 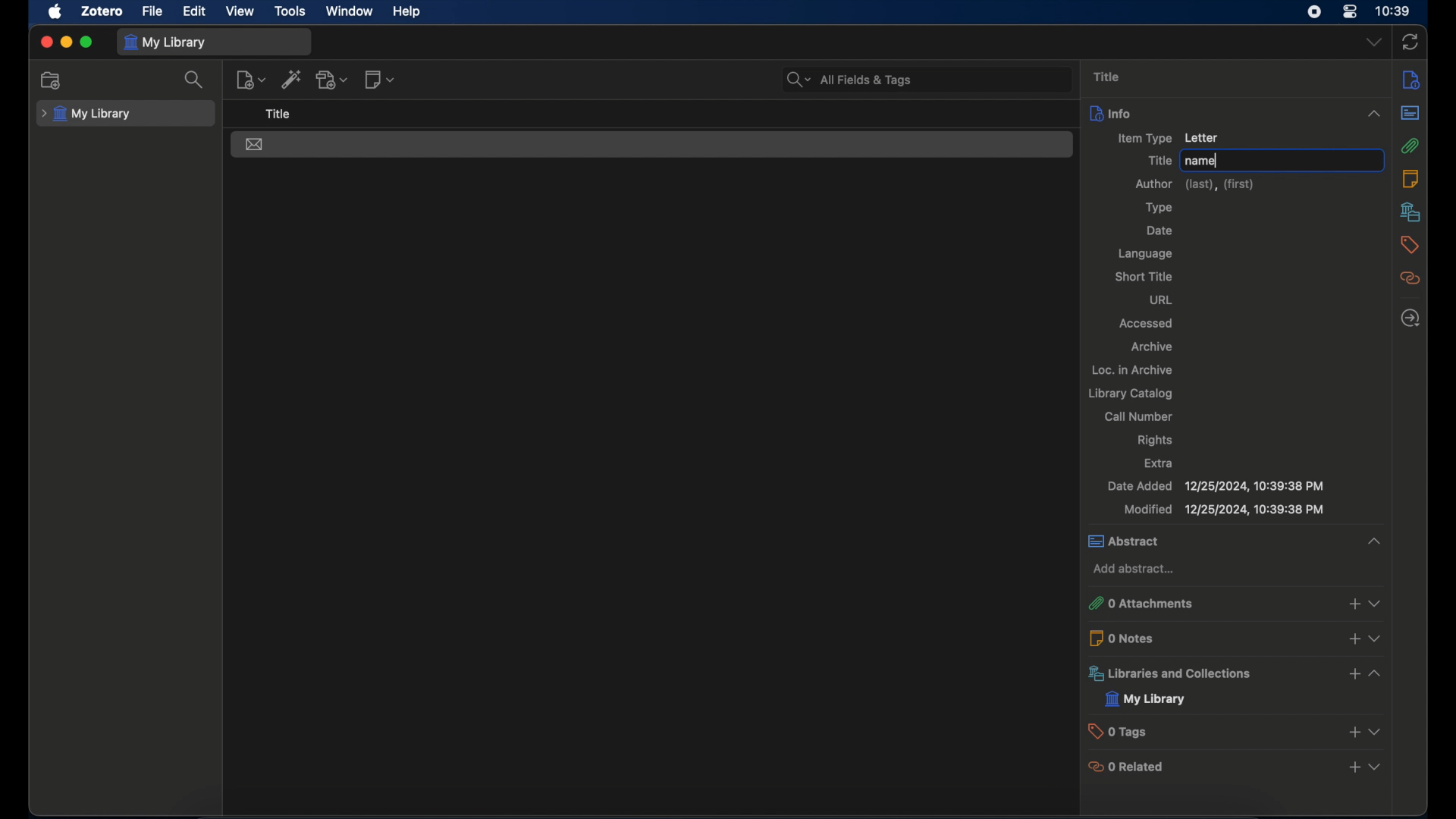 I want to click on add attachment, so click(x=334, y=80).